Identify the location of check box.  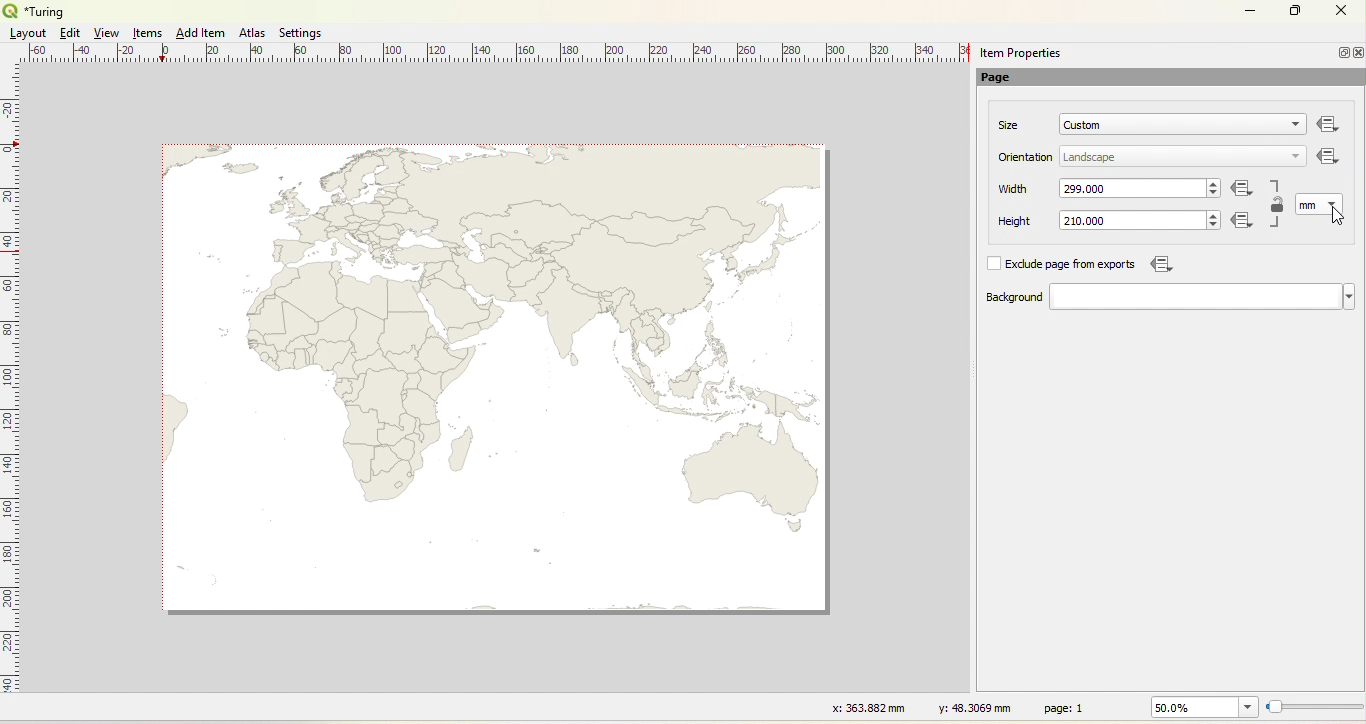
(993, 264).